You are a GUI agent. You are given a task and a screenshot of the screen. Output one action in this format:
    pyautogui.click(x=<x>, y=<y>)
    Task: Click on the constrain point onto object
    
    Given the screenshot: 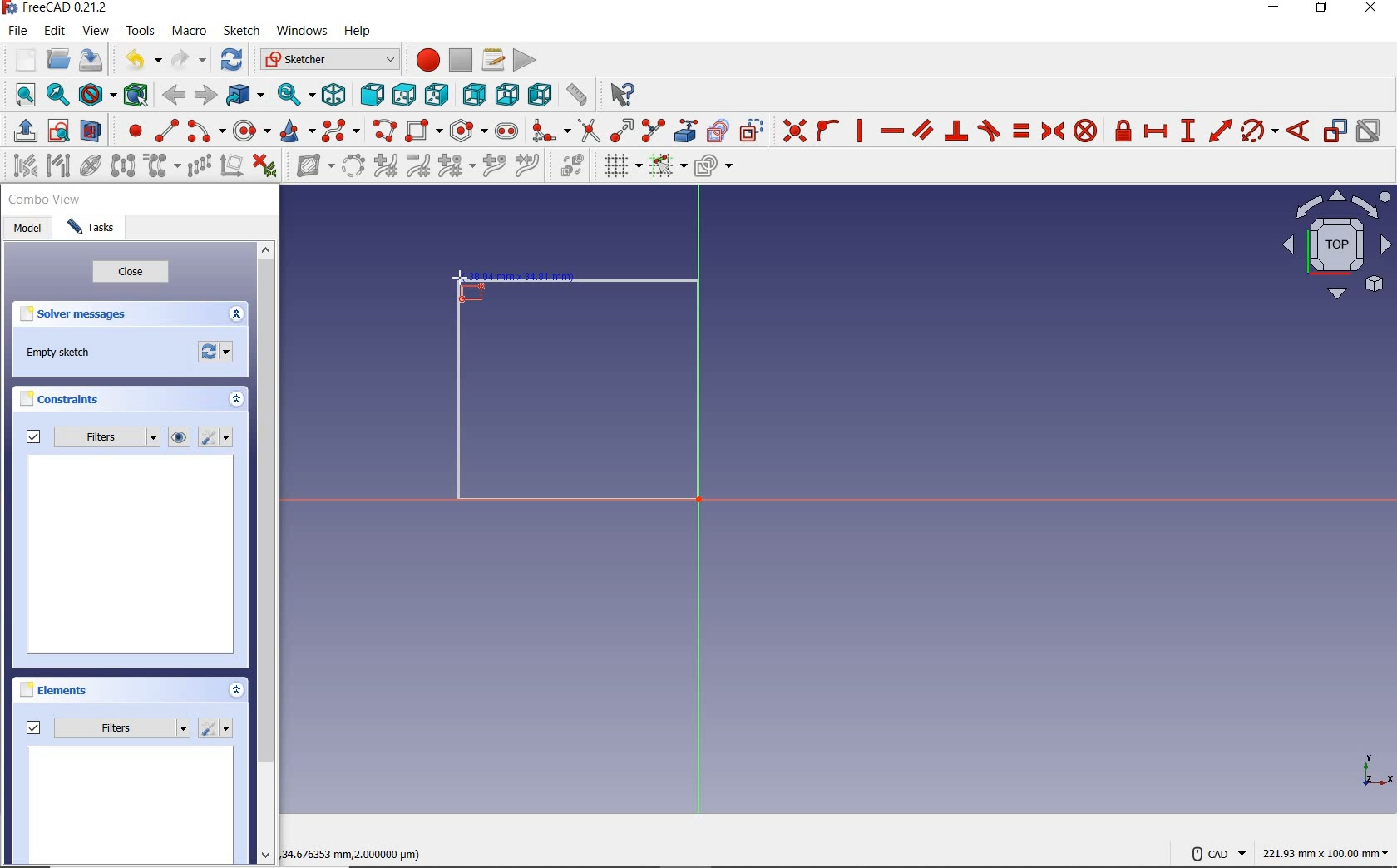 What is the action you would take?
    pyautogui.click(x=827, y=130)
    